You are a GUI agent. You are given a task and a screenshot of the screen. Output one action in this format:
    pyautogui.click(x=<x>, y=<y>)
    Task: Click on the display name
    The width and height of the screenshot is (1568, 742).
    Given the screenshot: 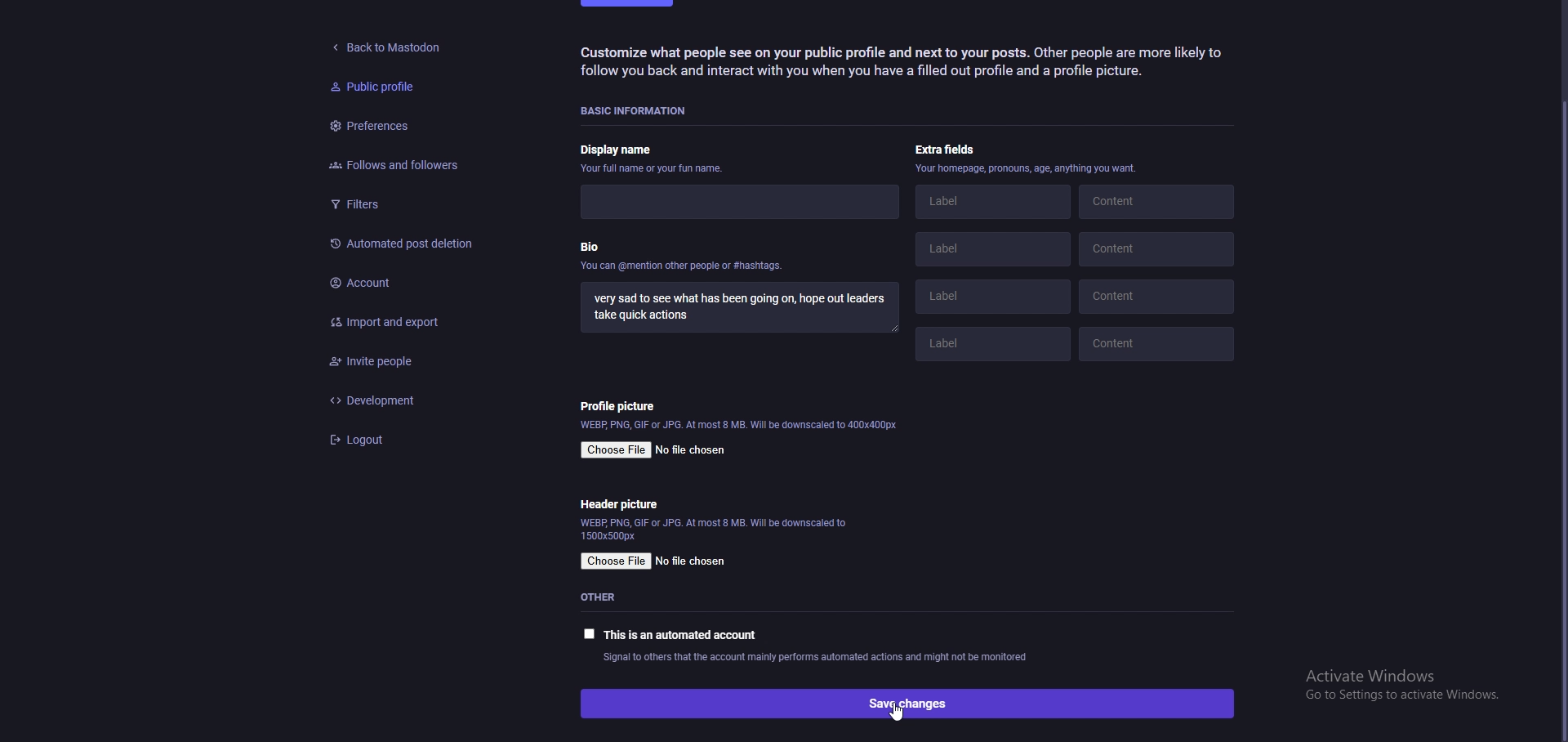 What is the action you would take?
    pyautogui.click(x=654, y=152)
    